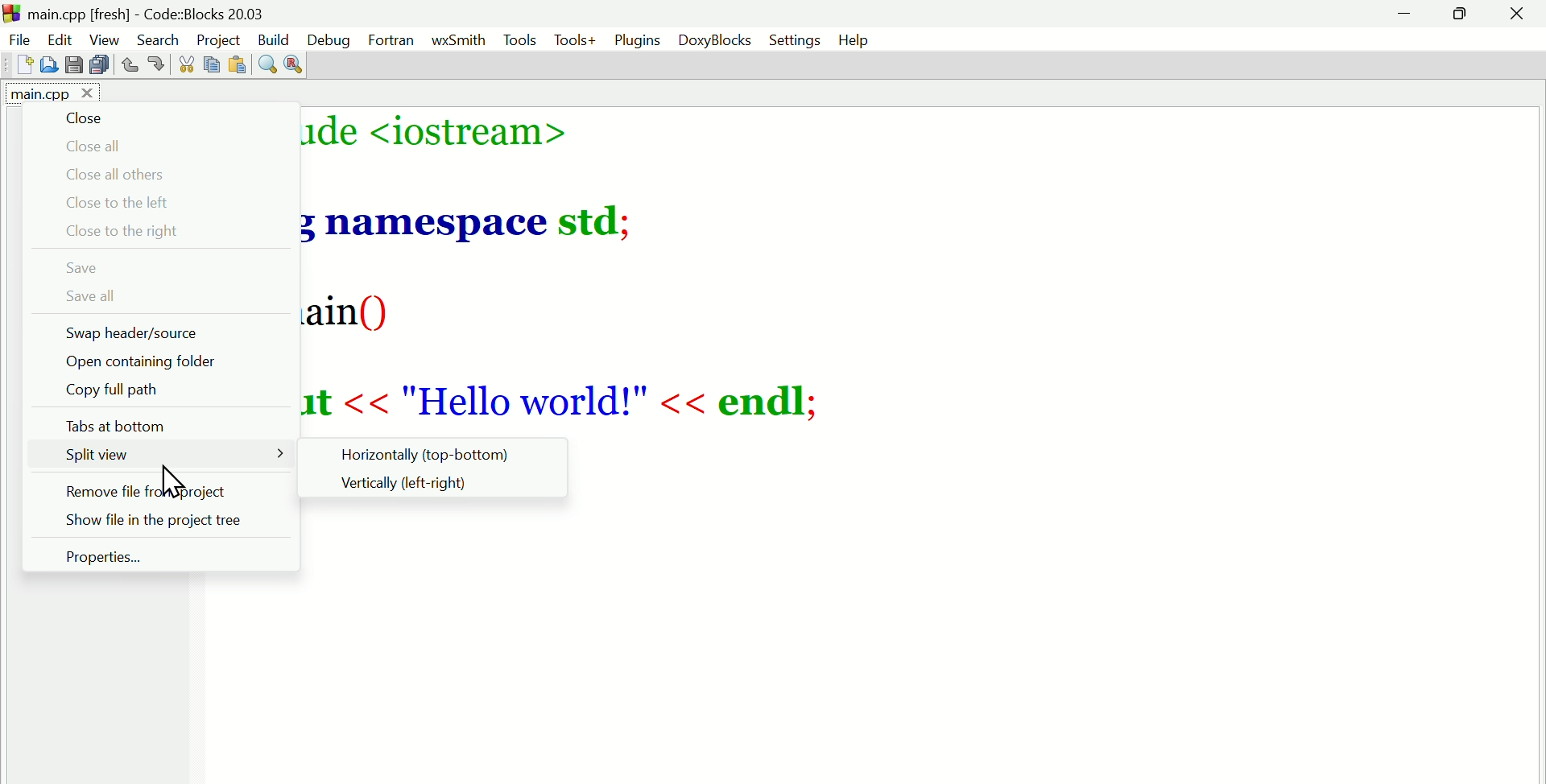 The width and height of the screenshot is (1546, 784). Describe the element at coordinates (519, 39) in the screenshot. I see `tools` at that location.